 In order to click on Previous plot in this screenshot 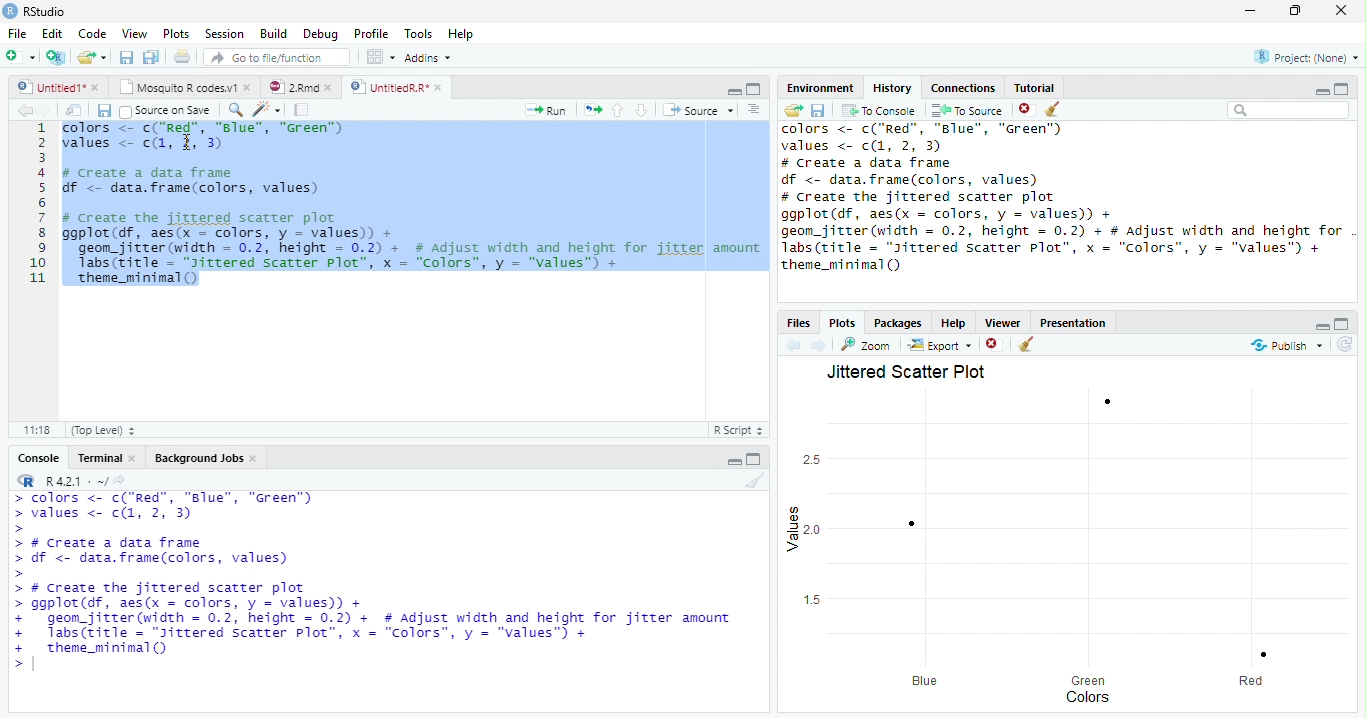, I will do `click(794, 345)`.